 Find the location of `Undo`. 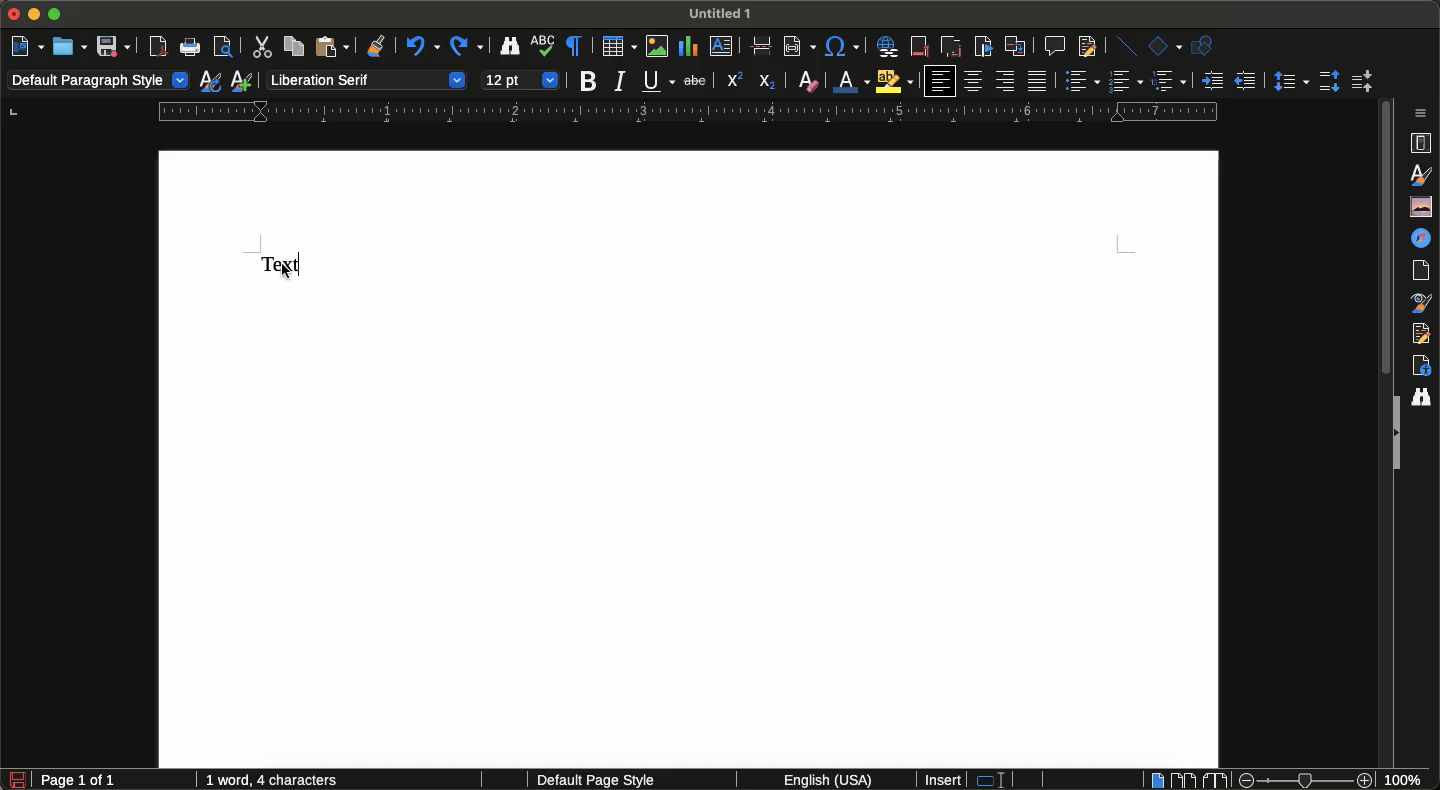

Undo is located at coordinates (420, 49).